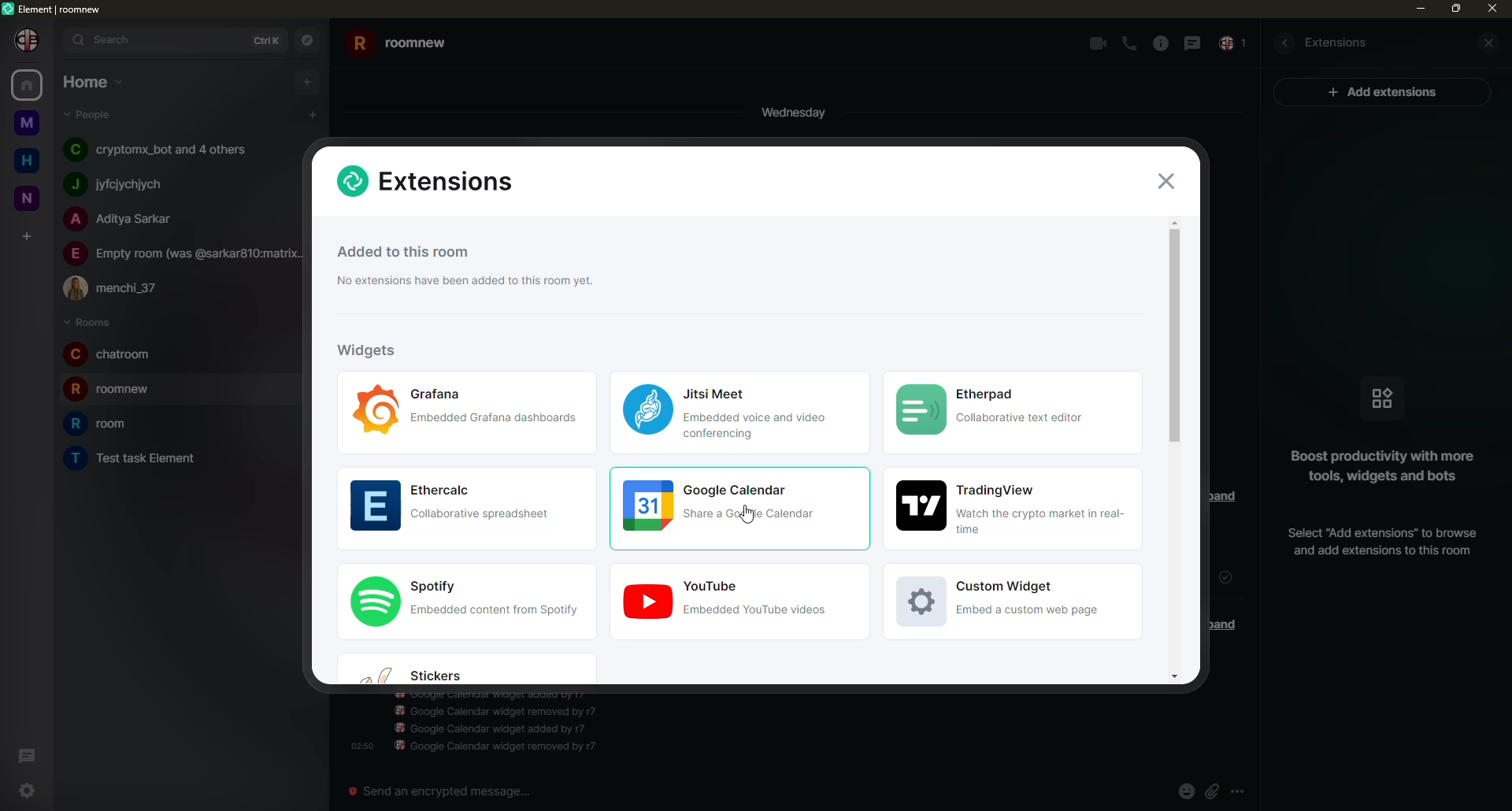 Image resolution: width=1512 pixels, height=811 pixels. What do you see at coordinates (90, 114) in the screenshot?
I see `people` at bounding box center [90, 114].